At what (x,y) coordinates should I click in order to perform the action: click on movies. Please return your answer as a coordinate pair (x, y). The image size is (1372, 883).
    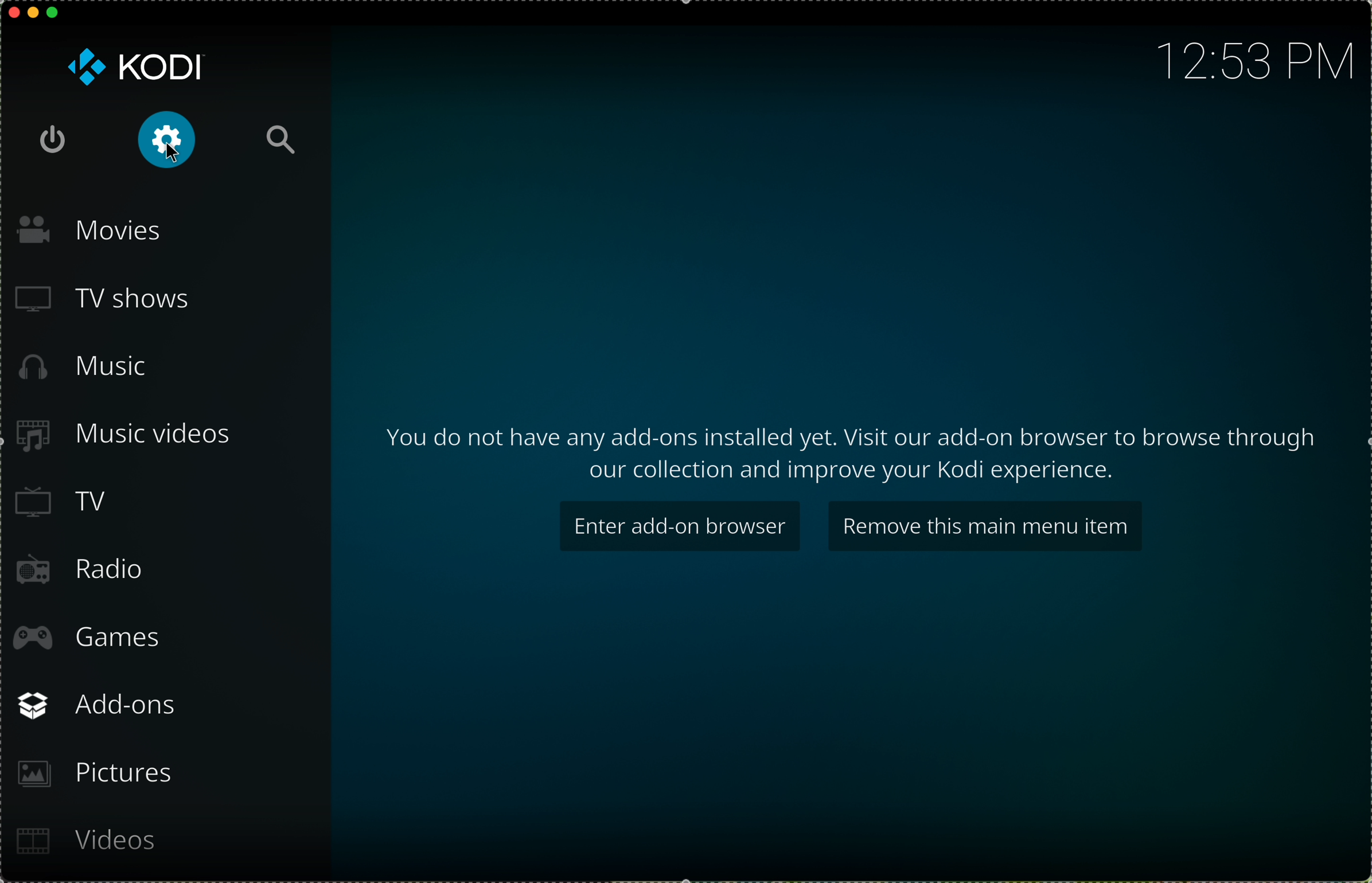
    Looking at the image, I should click on (103, 229).